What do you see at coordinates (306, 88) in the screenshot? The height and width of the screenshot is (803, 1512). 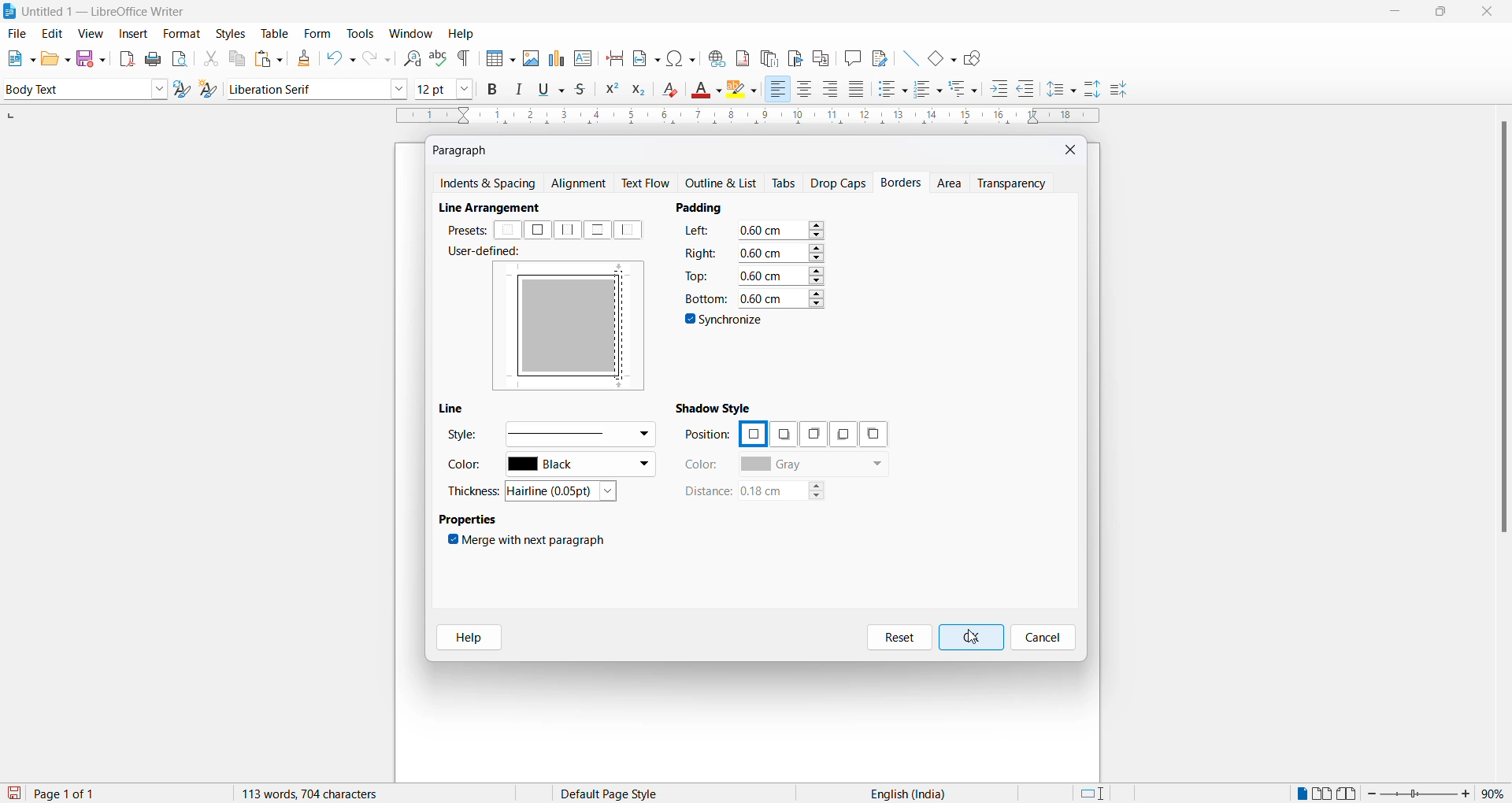 I see `font name` at bounding box center [306, 88].